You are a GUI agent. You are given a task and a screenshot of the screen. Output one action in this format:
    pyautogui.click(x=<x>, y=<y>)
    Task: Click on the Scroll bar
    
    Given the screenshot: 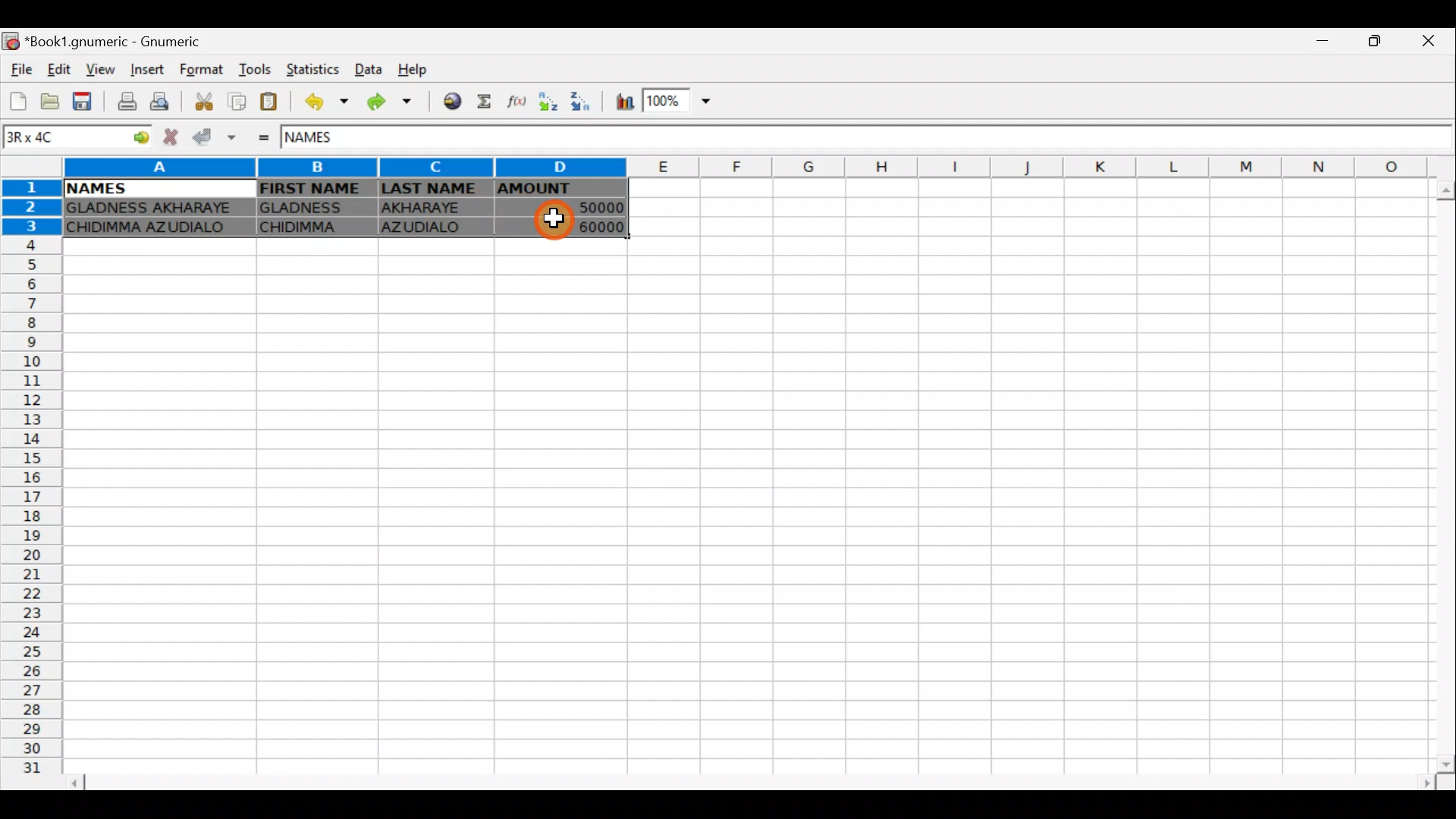 What is the action you would take?
    pyautogui.click(x=749, y=783)
    